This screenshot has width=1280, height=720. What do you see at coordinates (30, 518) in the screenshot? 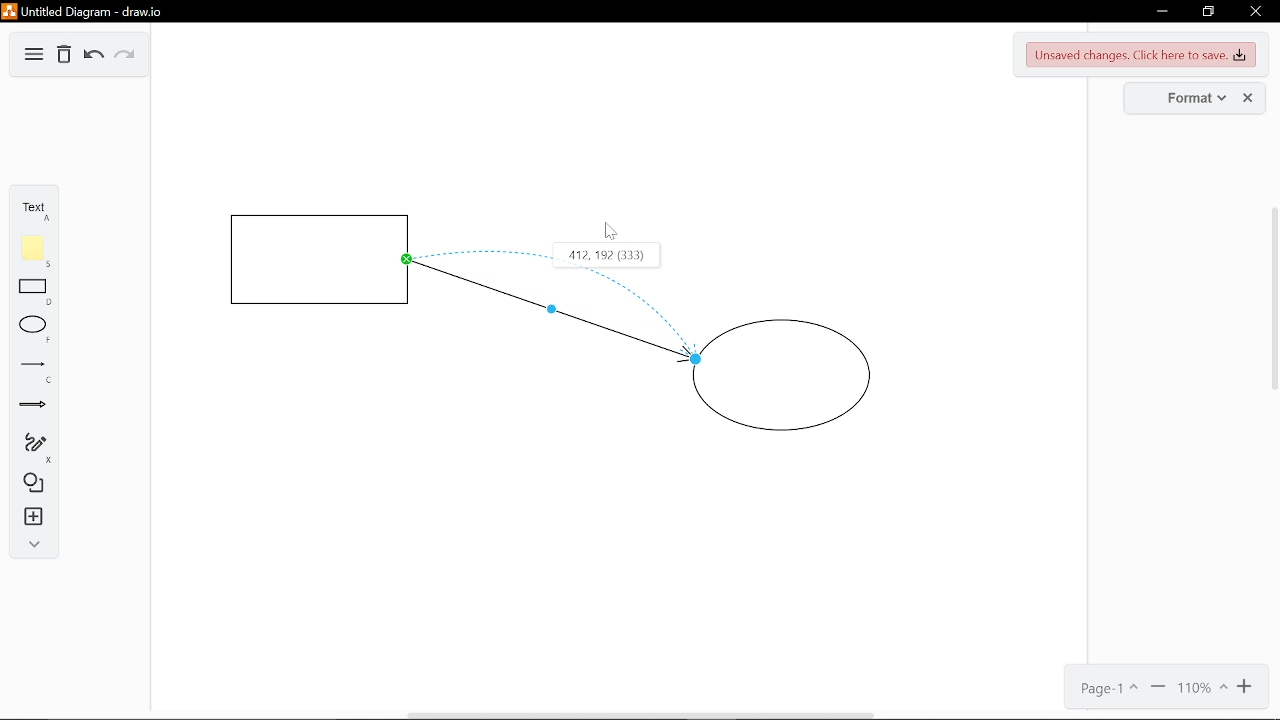
I see `Instert` at bounding box center [30, 518].